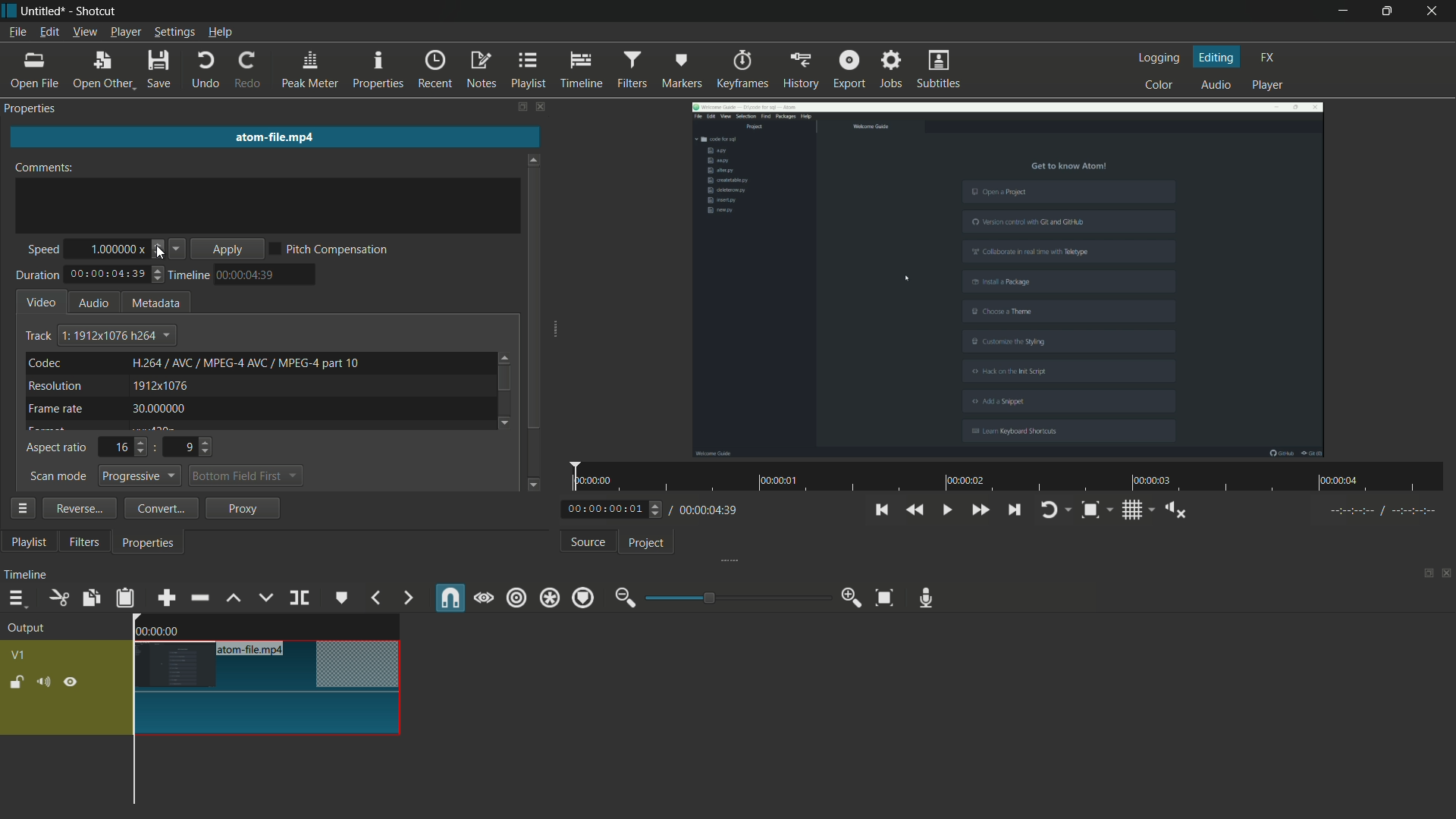 The image size is (1456, 819). What do you see at coordinates (1009, 279) in the screenshot?
I see `imported file` at bounding box center [1009, 279].